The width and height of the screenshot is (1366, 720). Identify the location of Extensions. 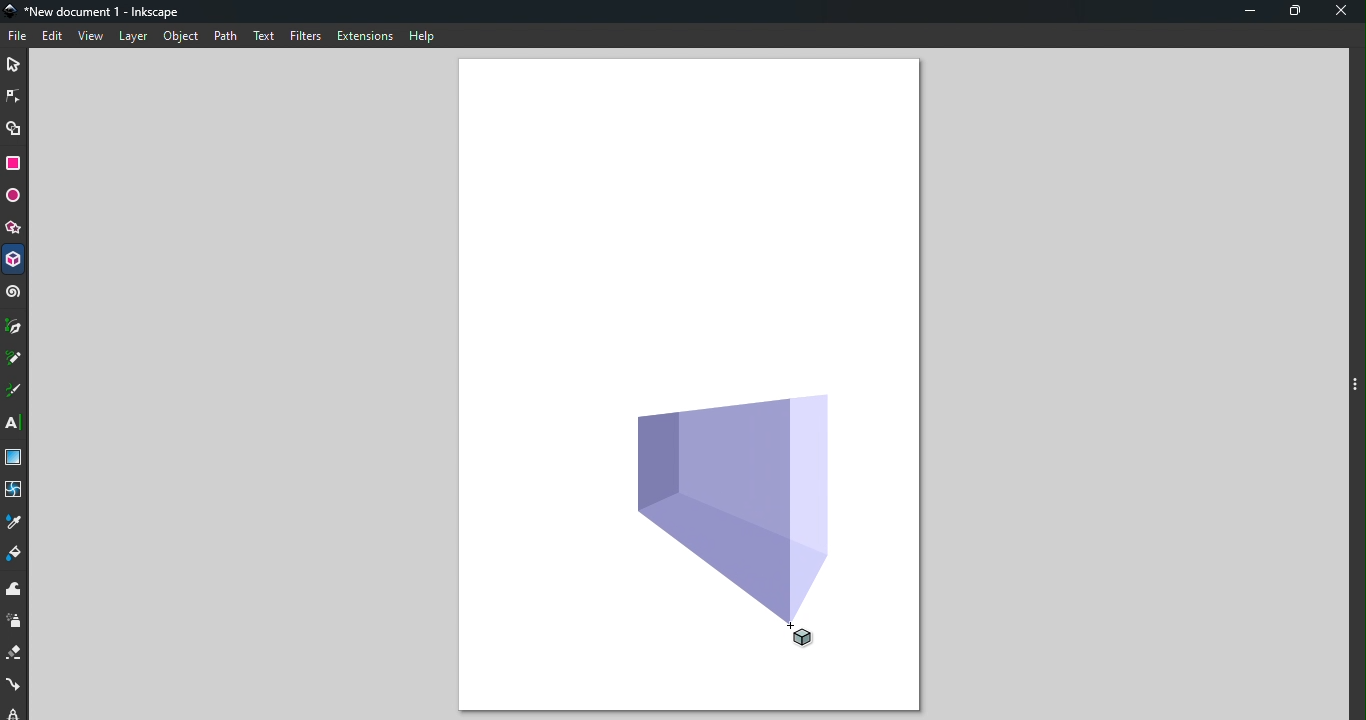
(366, 38).